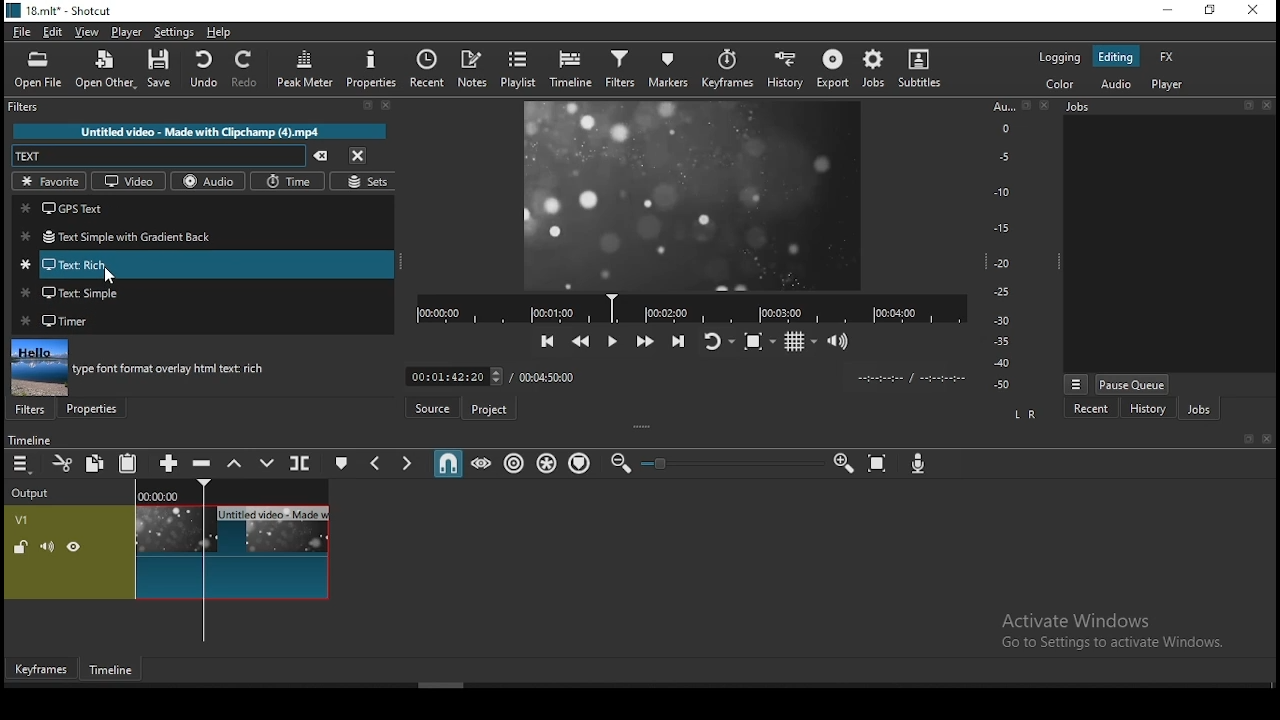 The width and height of the screenshot is (1280, 720). What do you see at coordinates (519, 70) in the screenshot?
I see `playlist` at bounding box center [519, 70].